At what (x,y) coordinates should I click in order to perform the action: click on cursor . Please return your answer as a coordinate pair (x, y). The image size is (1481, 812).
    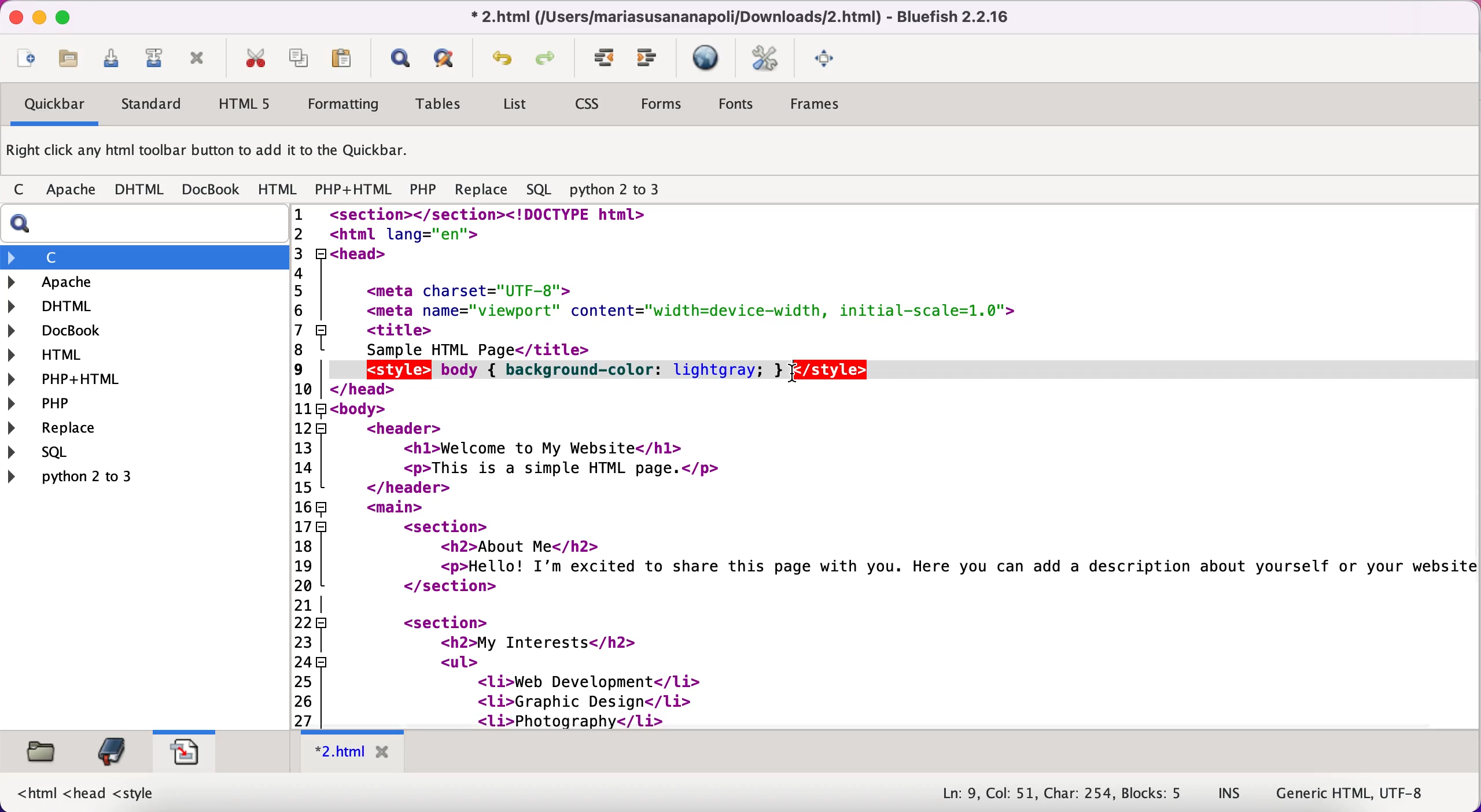
    Looking at the image, I should click on (790, 377).